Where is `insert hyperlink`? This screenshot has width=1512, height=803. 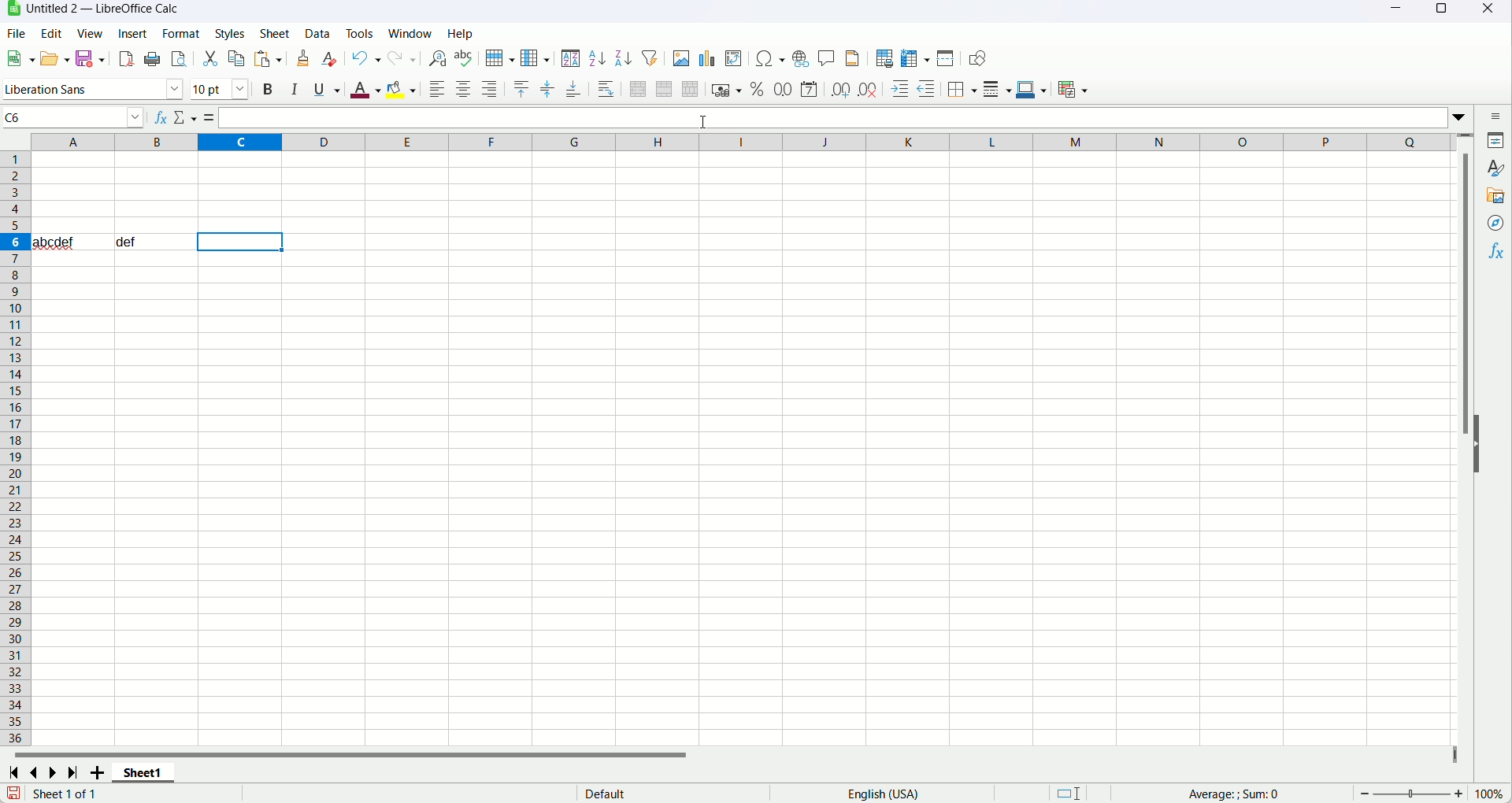 insert hyperlink is located at coordinates (800, 58).